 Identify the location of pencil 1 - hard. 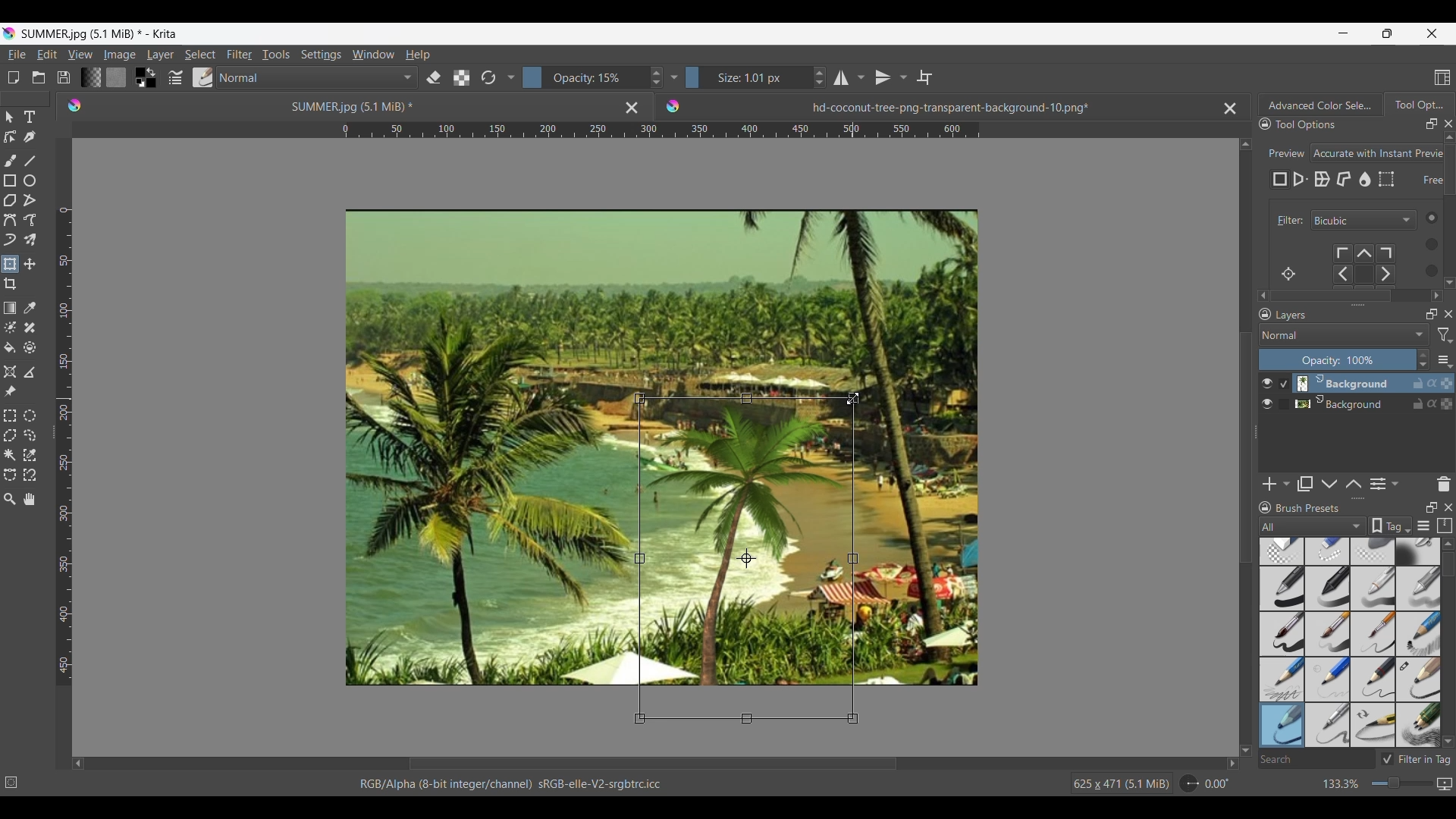
(1328, 679).